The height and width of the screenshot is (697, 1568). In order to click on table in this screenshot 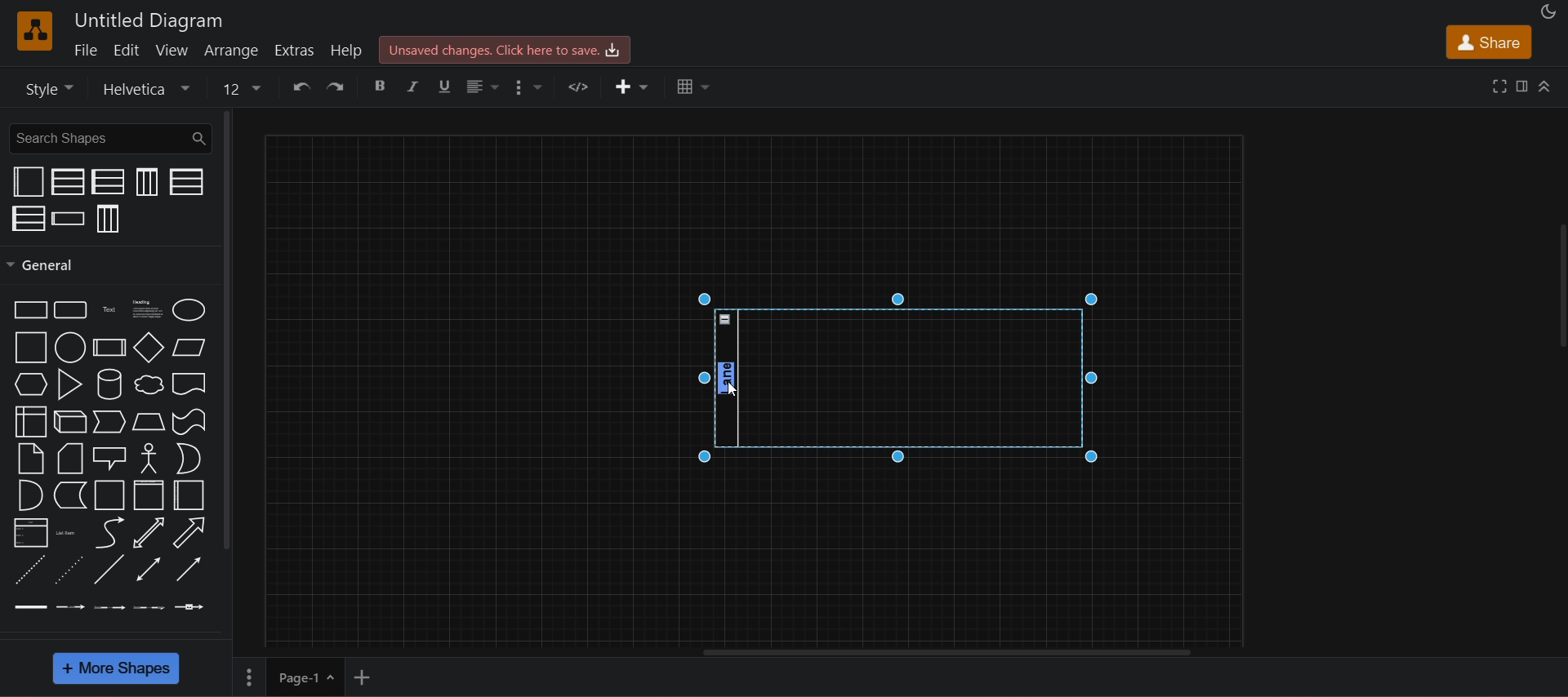, I will do `click(693, 87)`.